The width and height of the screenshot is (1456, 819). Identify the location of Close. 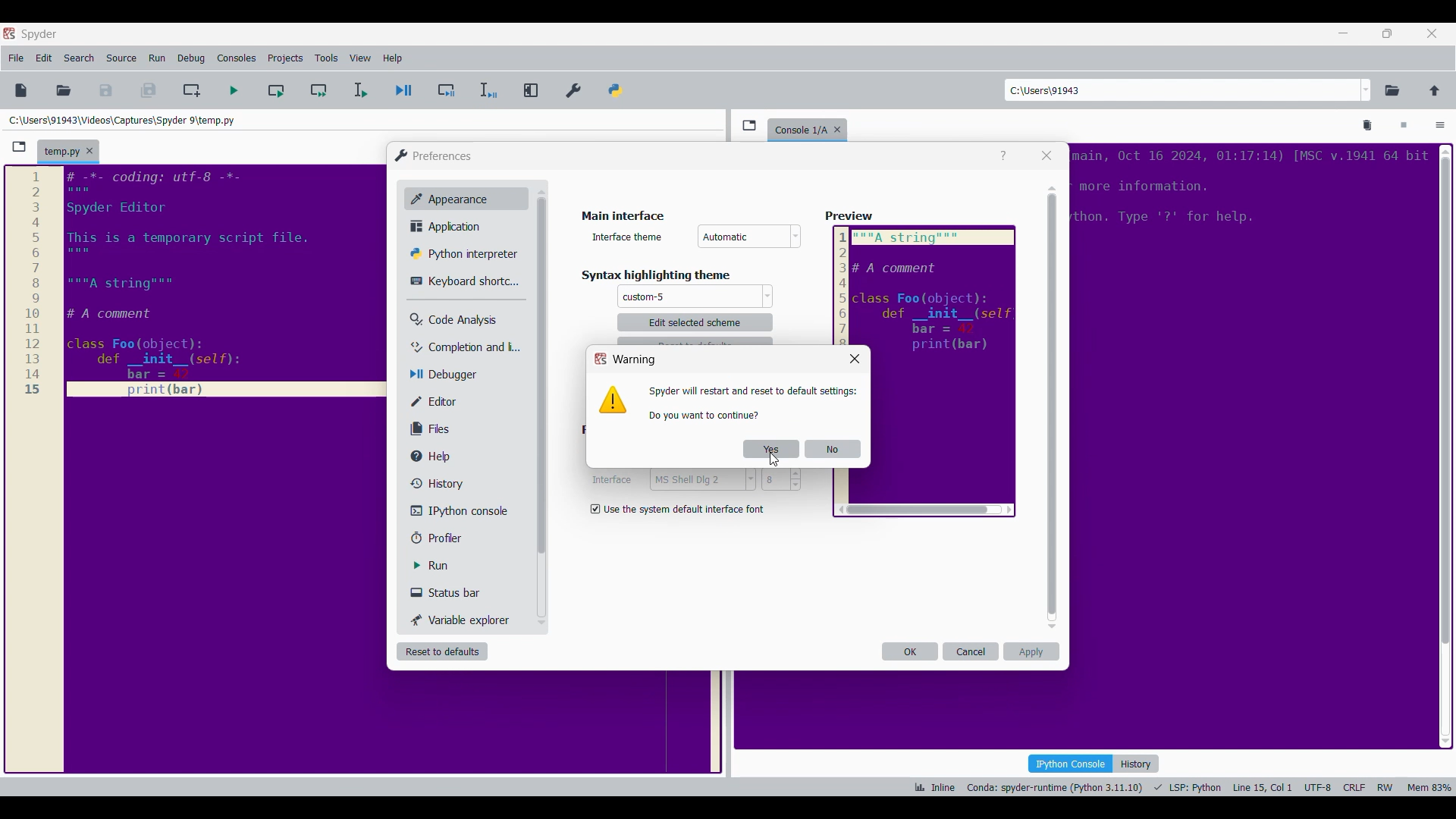
(1046, 155).